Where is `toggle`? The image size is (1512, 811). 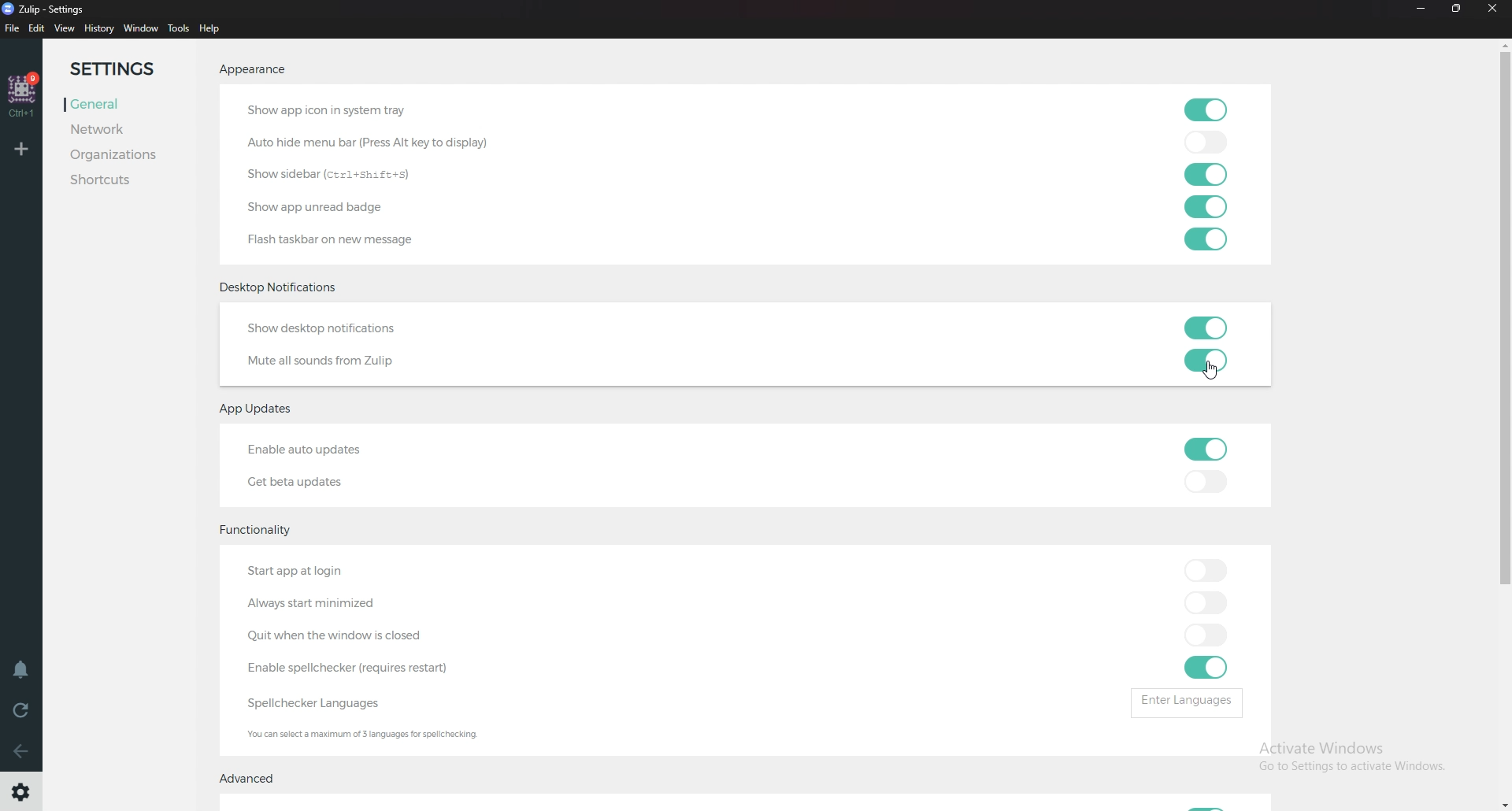 toggle is located at coordinates (1206, 481).